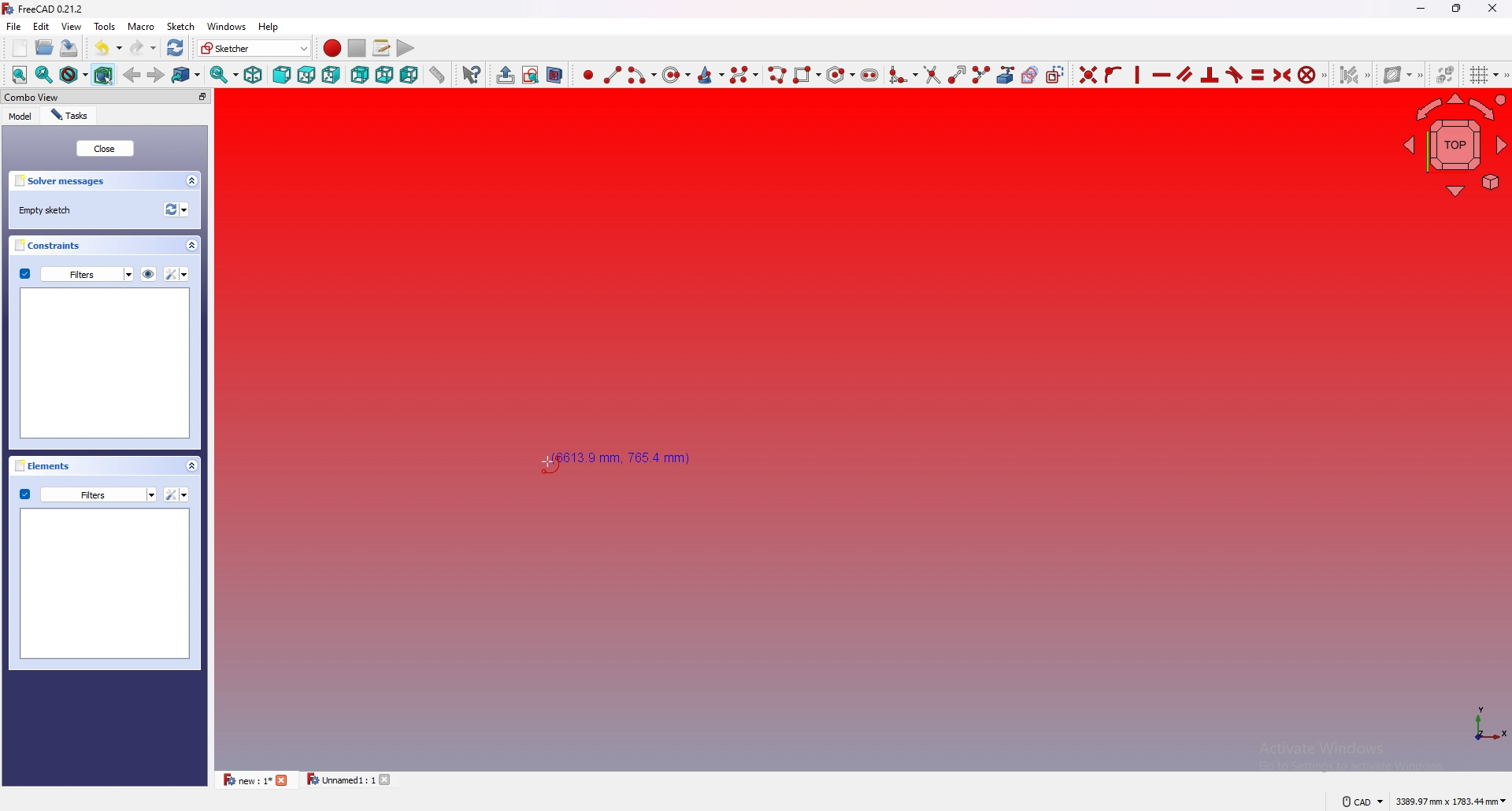 The image size is (1512, 811). What do you see at coordinates (19, 75) in the screenshot?
I see `fit all` at bounding box center [19, 75].